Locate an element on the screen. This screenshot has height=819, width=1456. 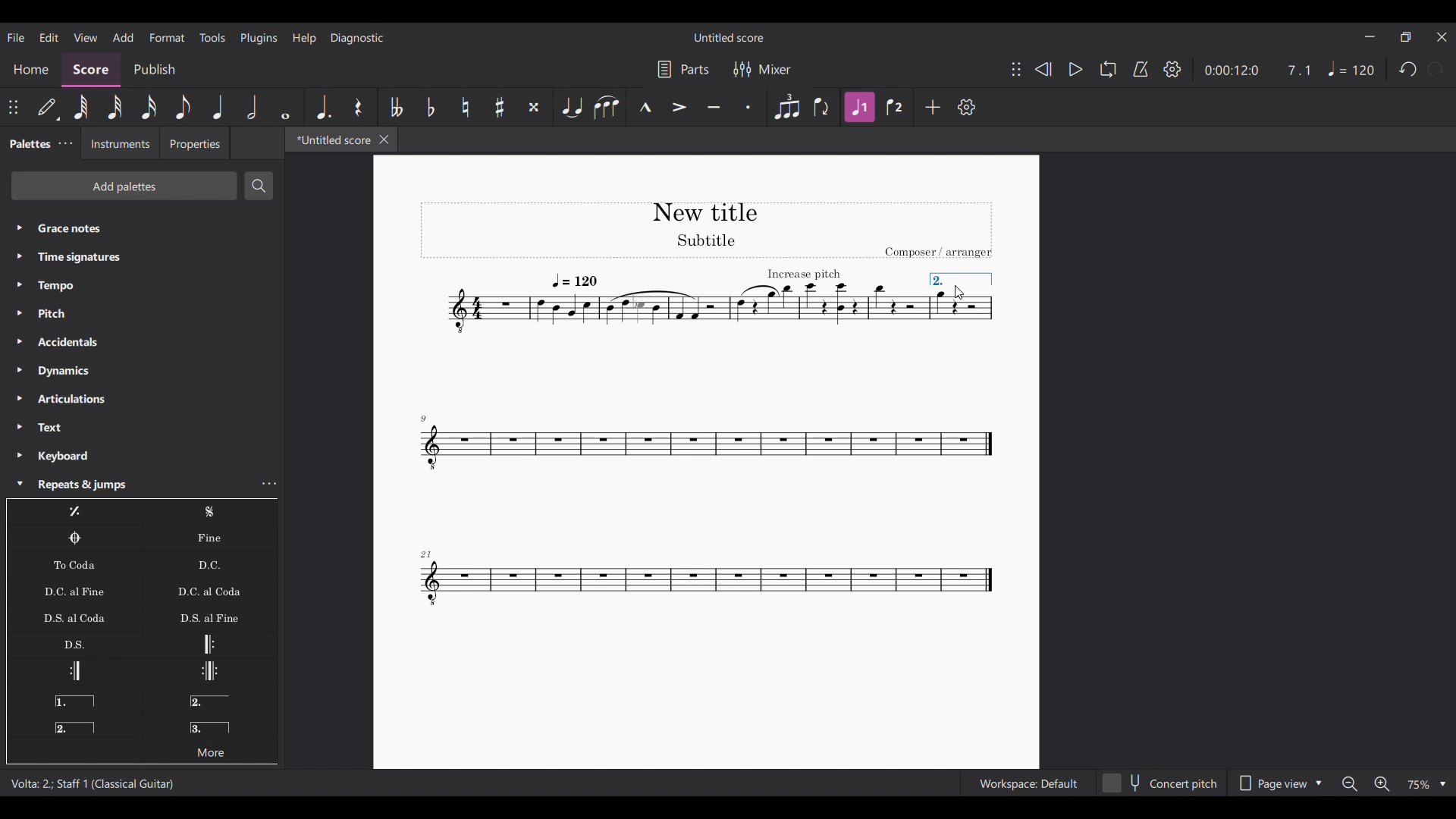
Fine is located at coordinates (209, 538).